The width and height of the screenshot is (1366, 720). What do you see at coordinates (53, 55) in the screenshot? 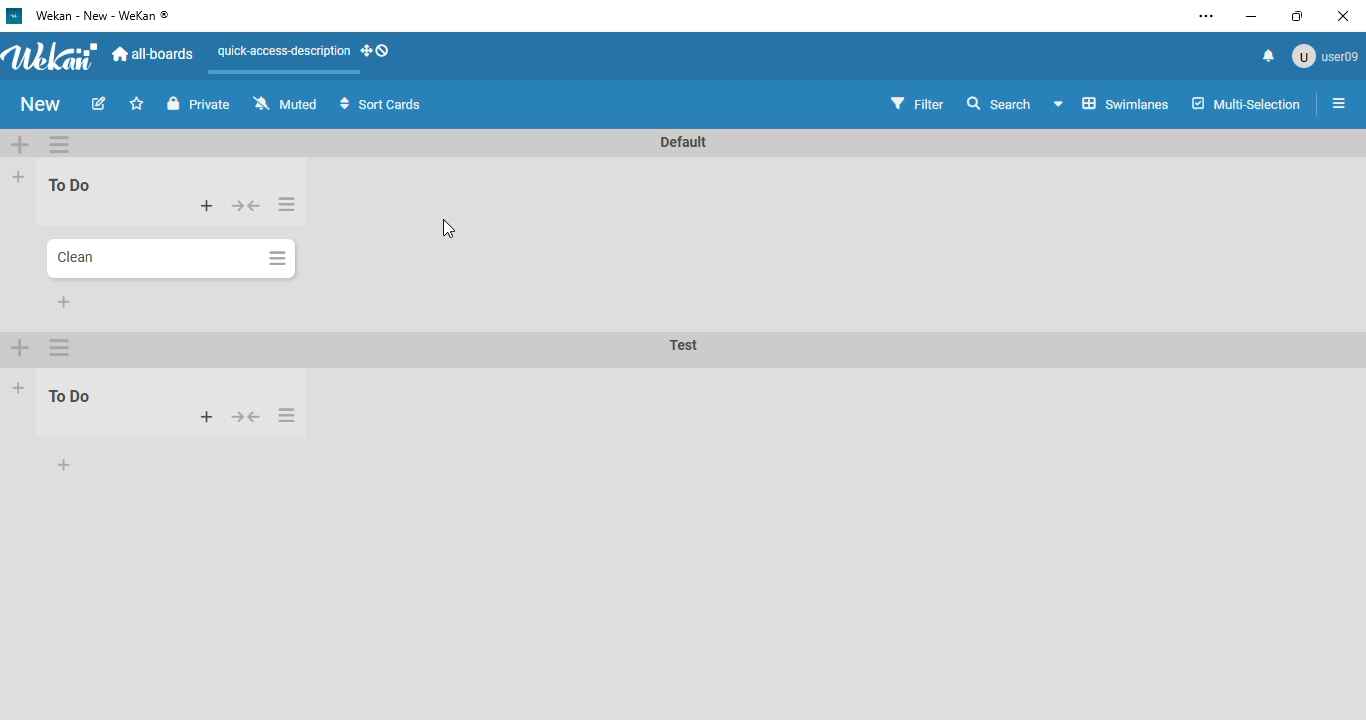
I see `wekan` at bounding box center [53, 55].